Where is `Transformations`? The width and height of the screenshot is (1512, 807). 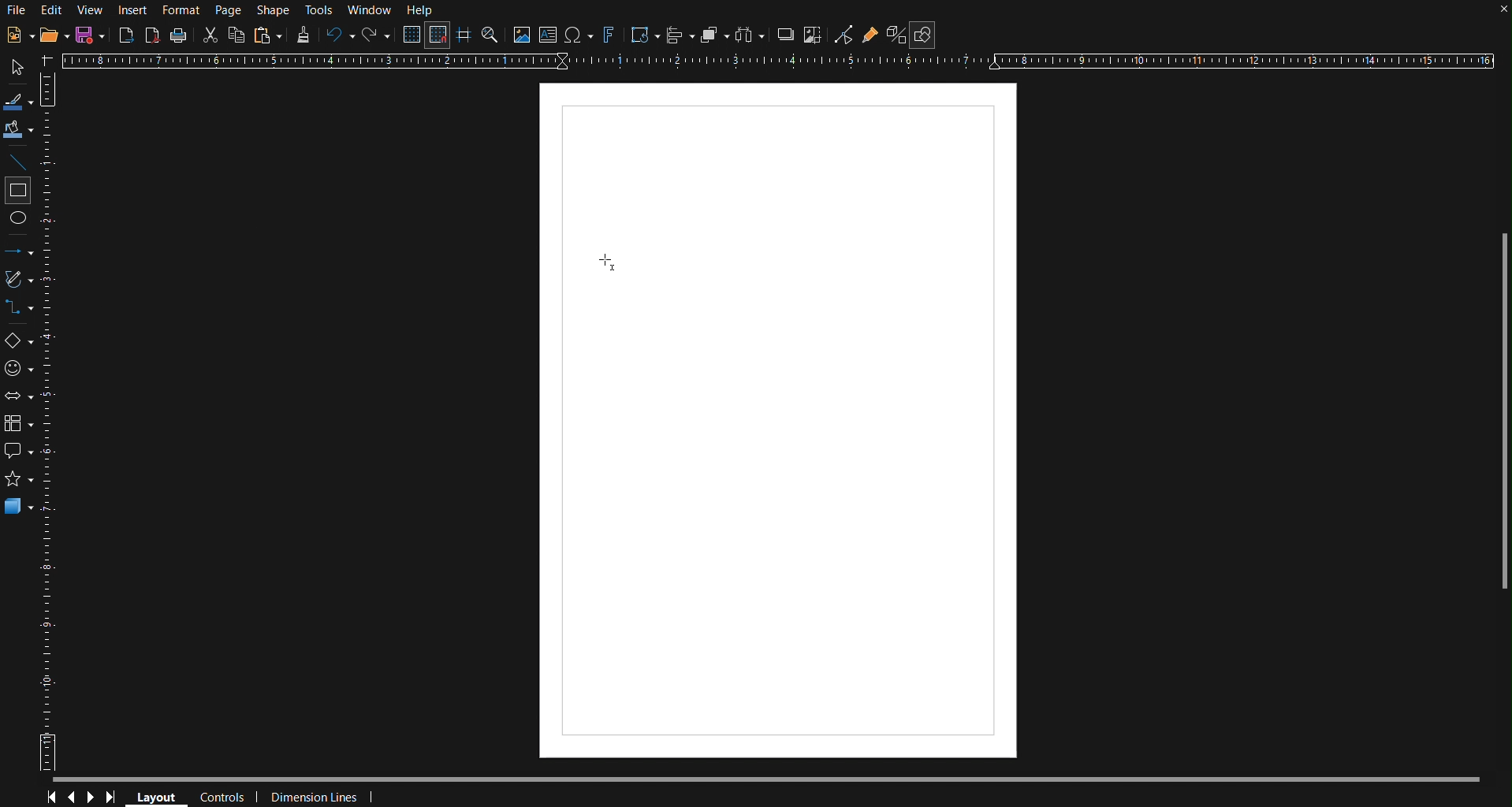 Transformations is located at coordinates (643, 35).